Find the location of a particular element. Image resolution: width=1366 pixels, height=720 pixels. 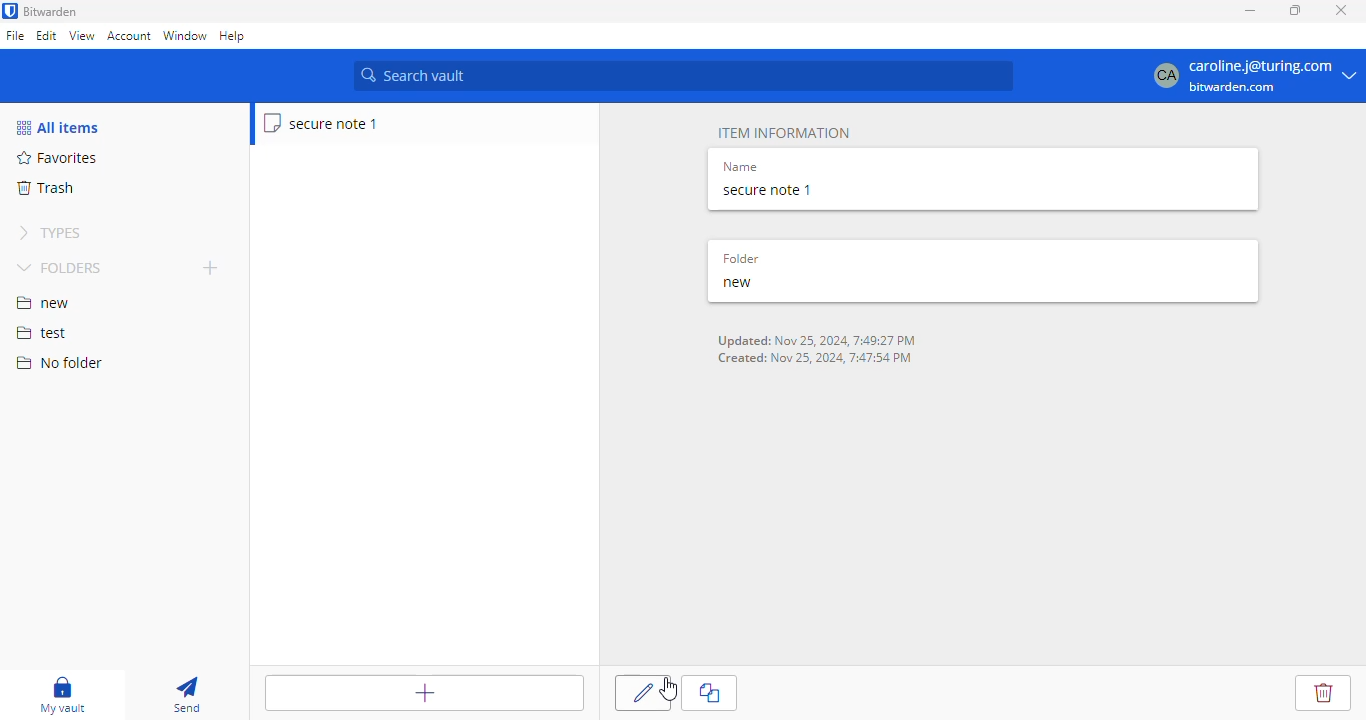

logo is located at coordinates (10, 11).